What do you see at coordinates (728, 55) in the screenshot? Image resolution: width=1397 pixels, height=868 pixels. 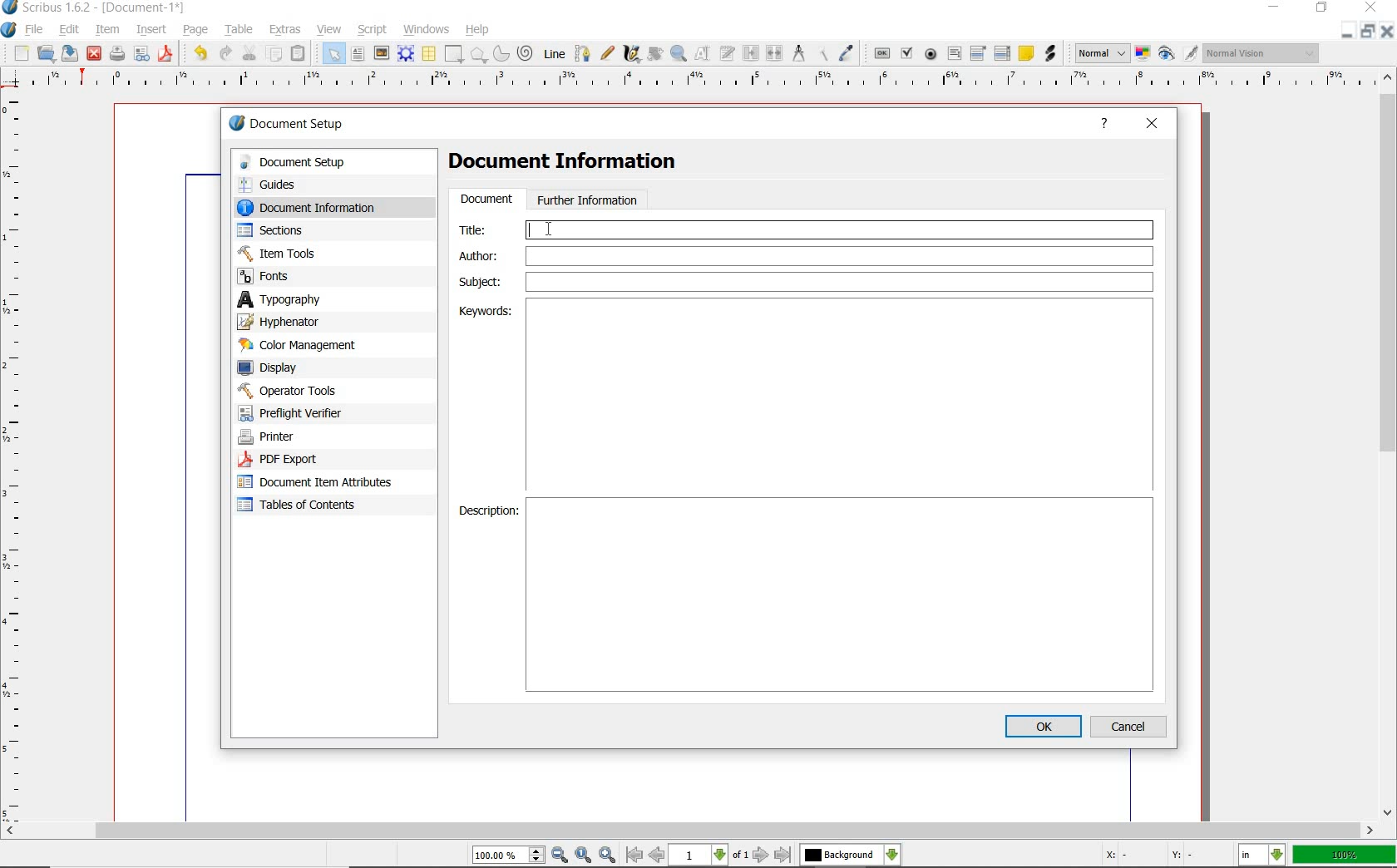 I see `edit text with story editor` at bounding box center [728, 55].